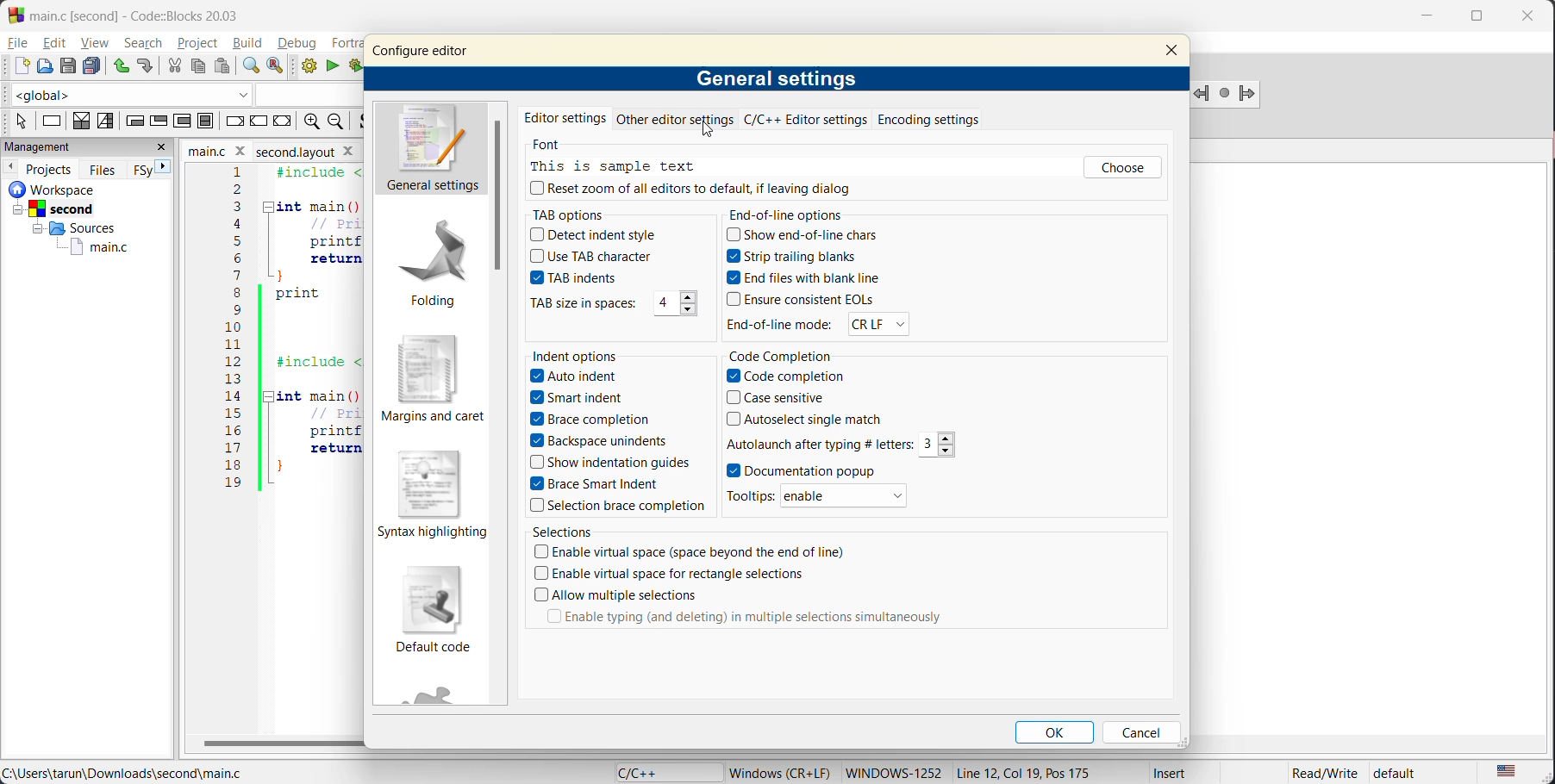 The height and width of the screenshot is (784, 1555). I want to click on cut, so click(172, 65).